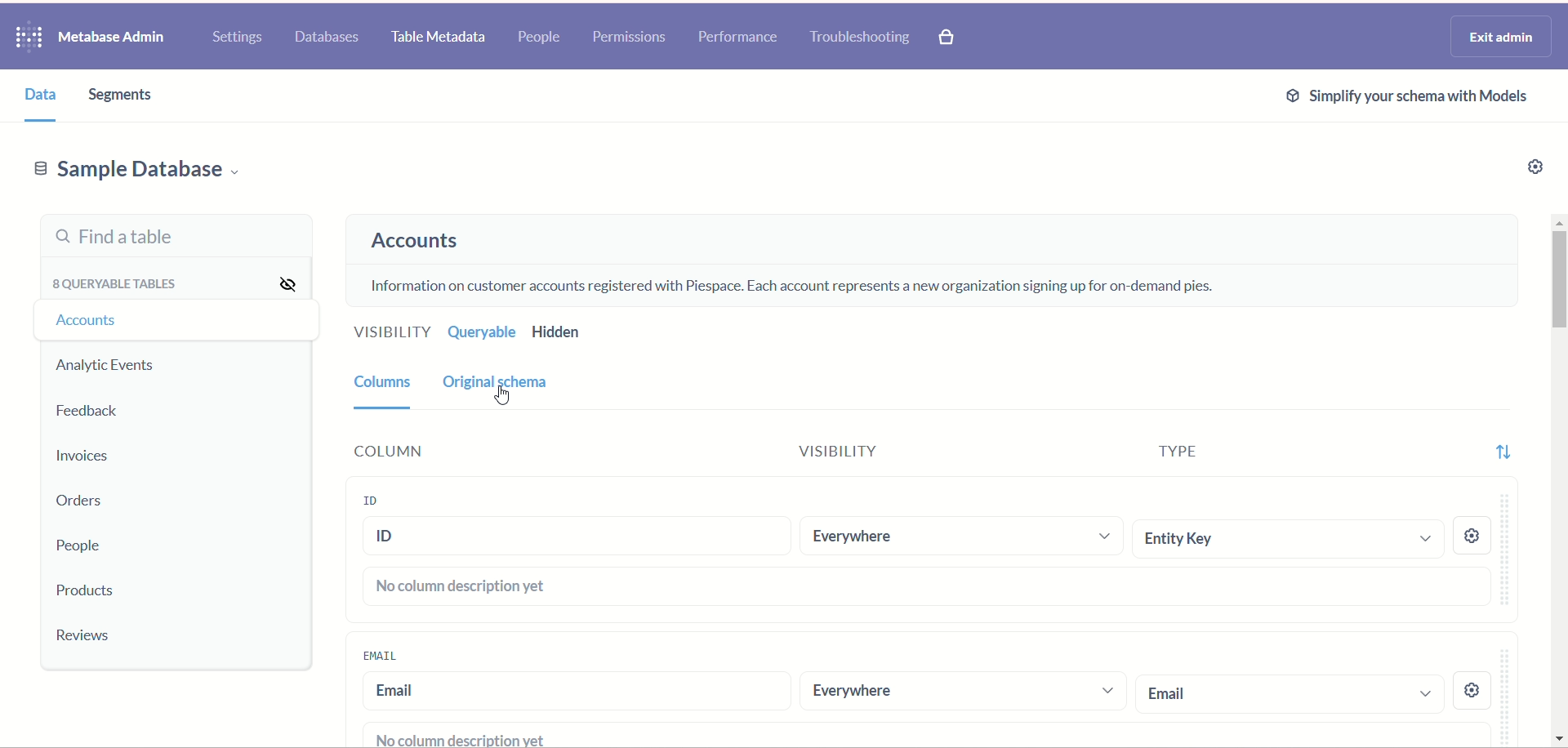  What do you see at coordinates (949, 39) in the screenshot?
I see `paid features` at bounding box center [949, 39].